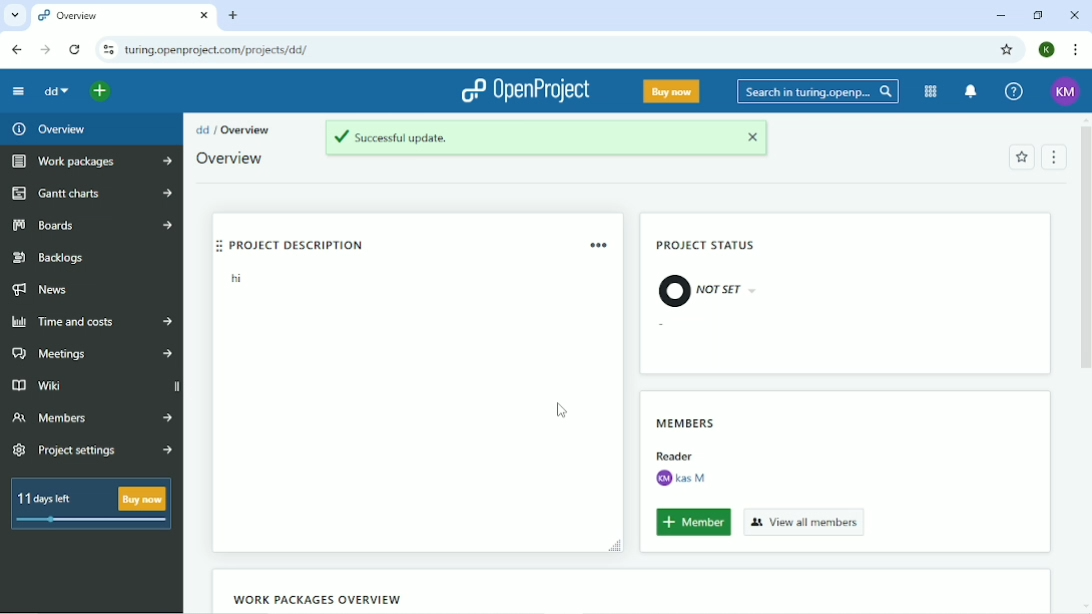 The height and width of the screenshot is (614, 1092). What do you see at coordinates (1075, 15) in the screenshot?
I see `Close` at bounding box center [1075, 15].